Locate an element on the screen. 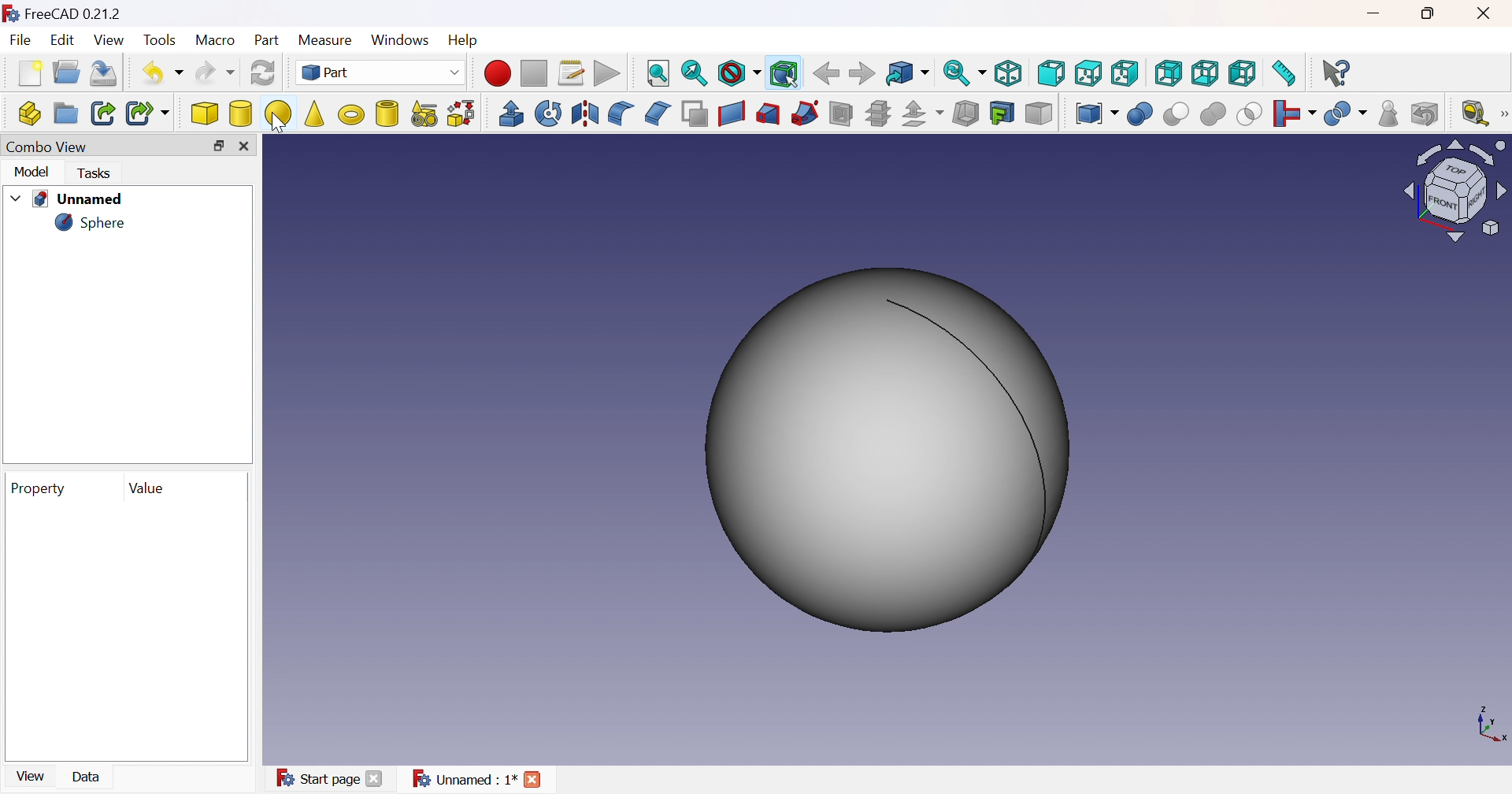 The height and width of the screenshot is (794, 1512). Create sub-link is located at coordinates (147, 114).